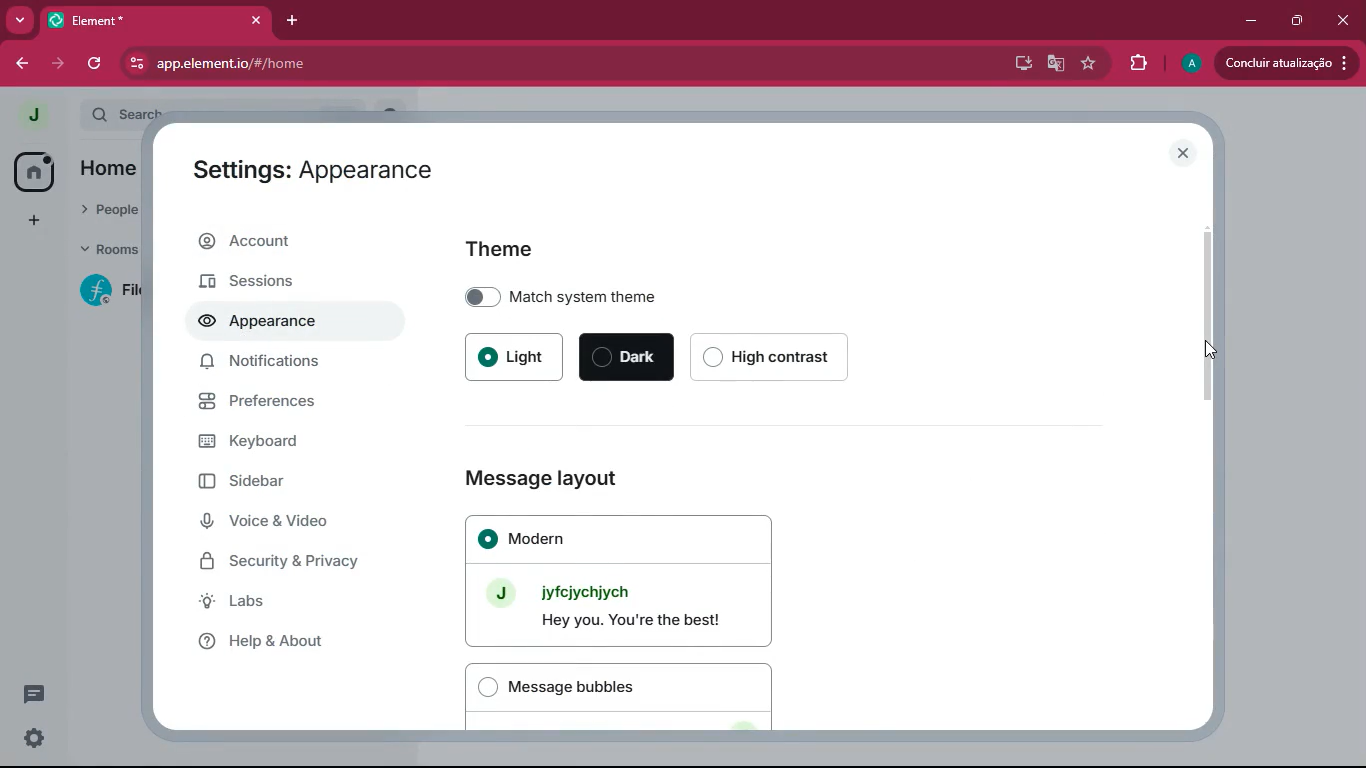 The width and height of the screenshot is (1366, 768). What do you see at coordinates (1286, 65) in the screenshot?
I see `update` at bounding box center [1286, 65].